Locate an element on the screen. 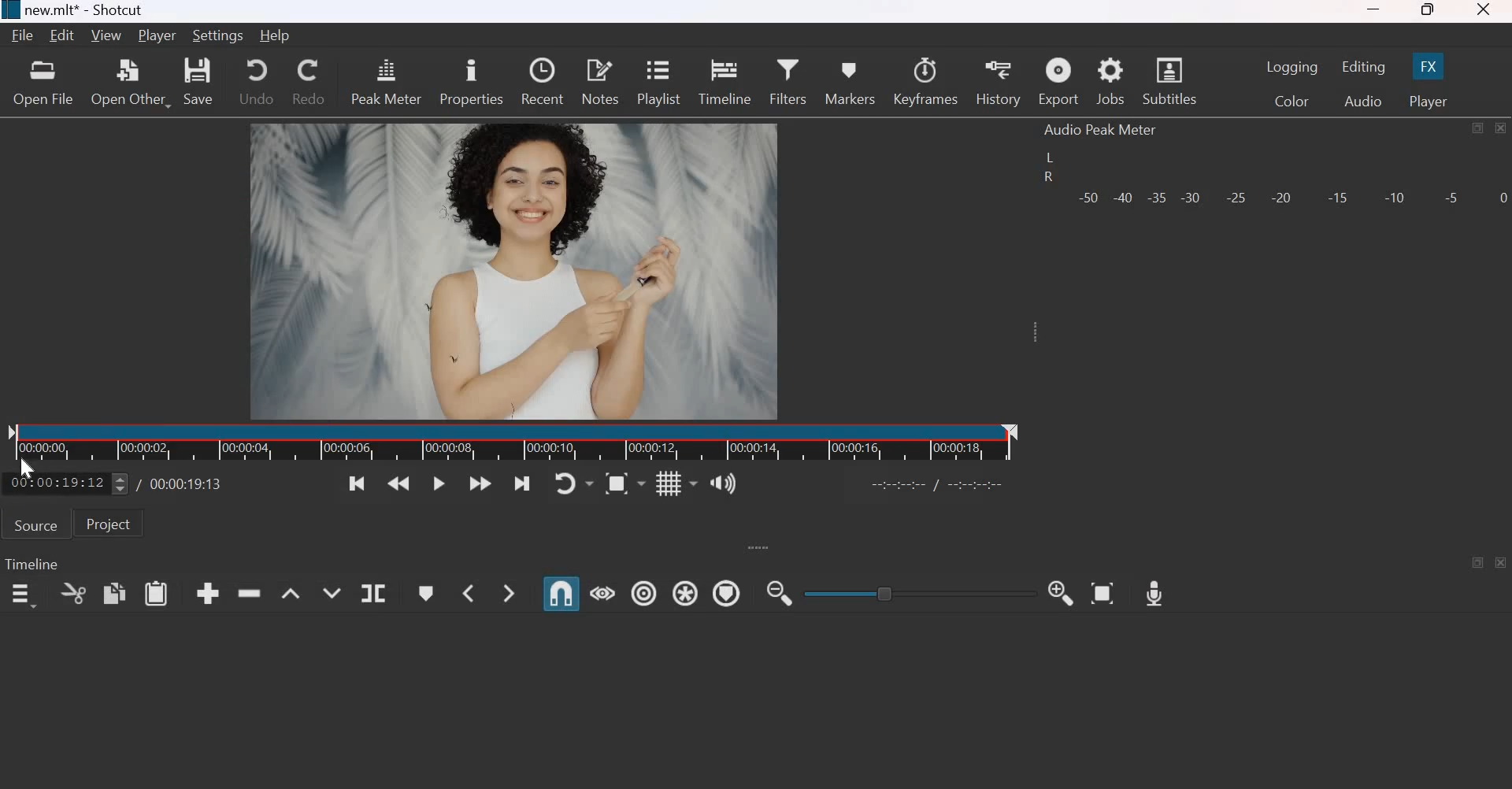 This screenshot has height=789, width=1512. Player is located at coordinates (1426, 101).